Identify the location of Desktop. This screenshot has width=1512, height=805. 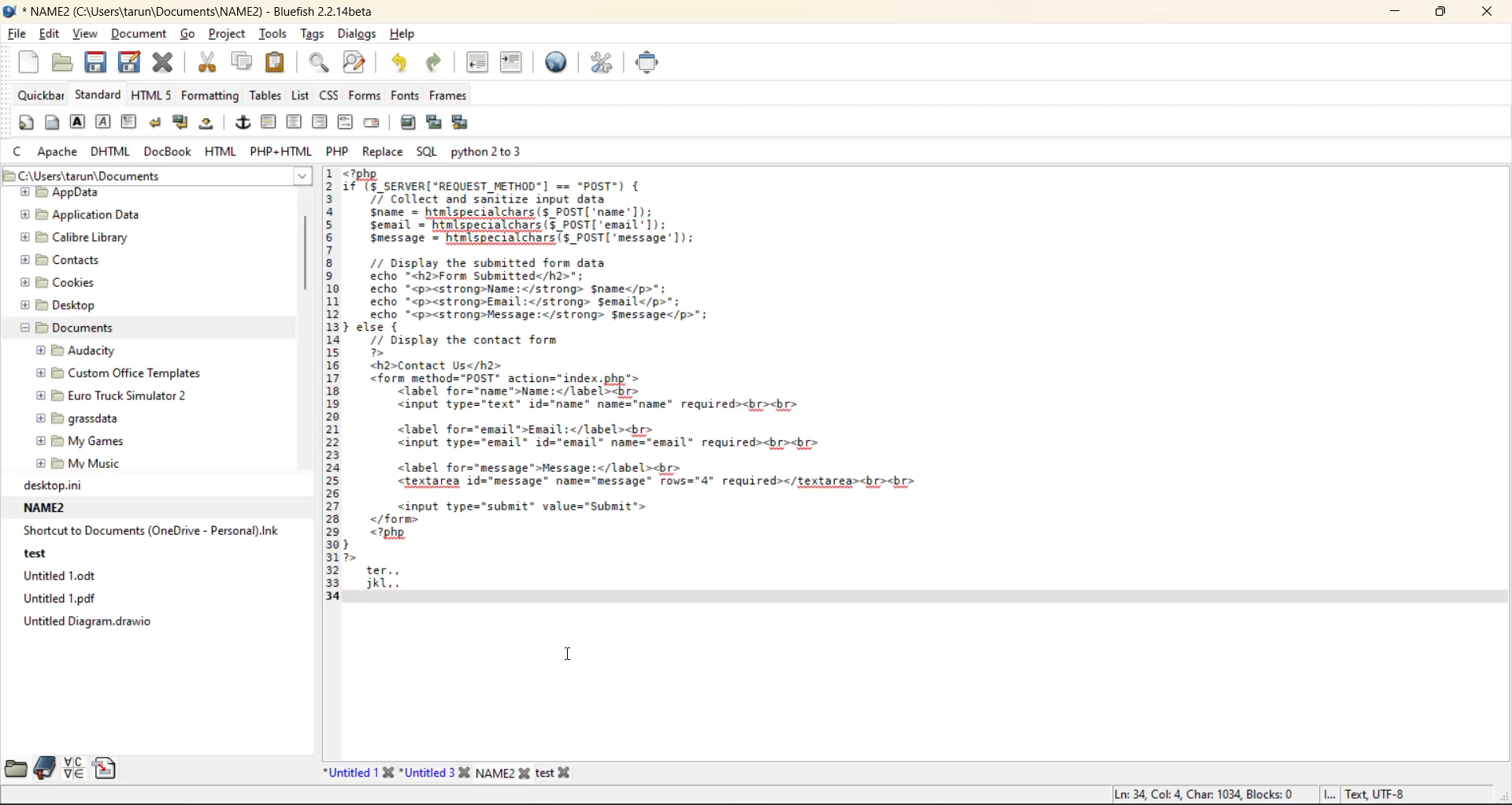
(57, 307).